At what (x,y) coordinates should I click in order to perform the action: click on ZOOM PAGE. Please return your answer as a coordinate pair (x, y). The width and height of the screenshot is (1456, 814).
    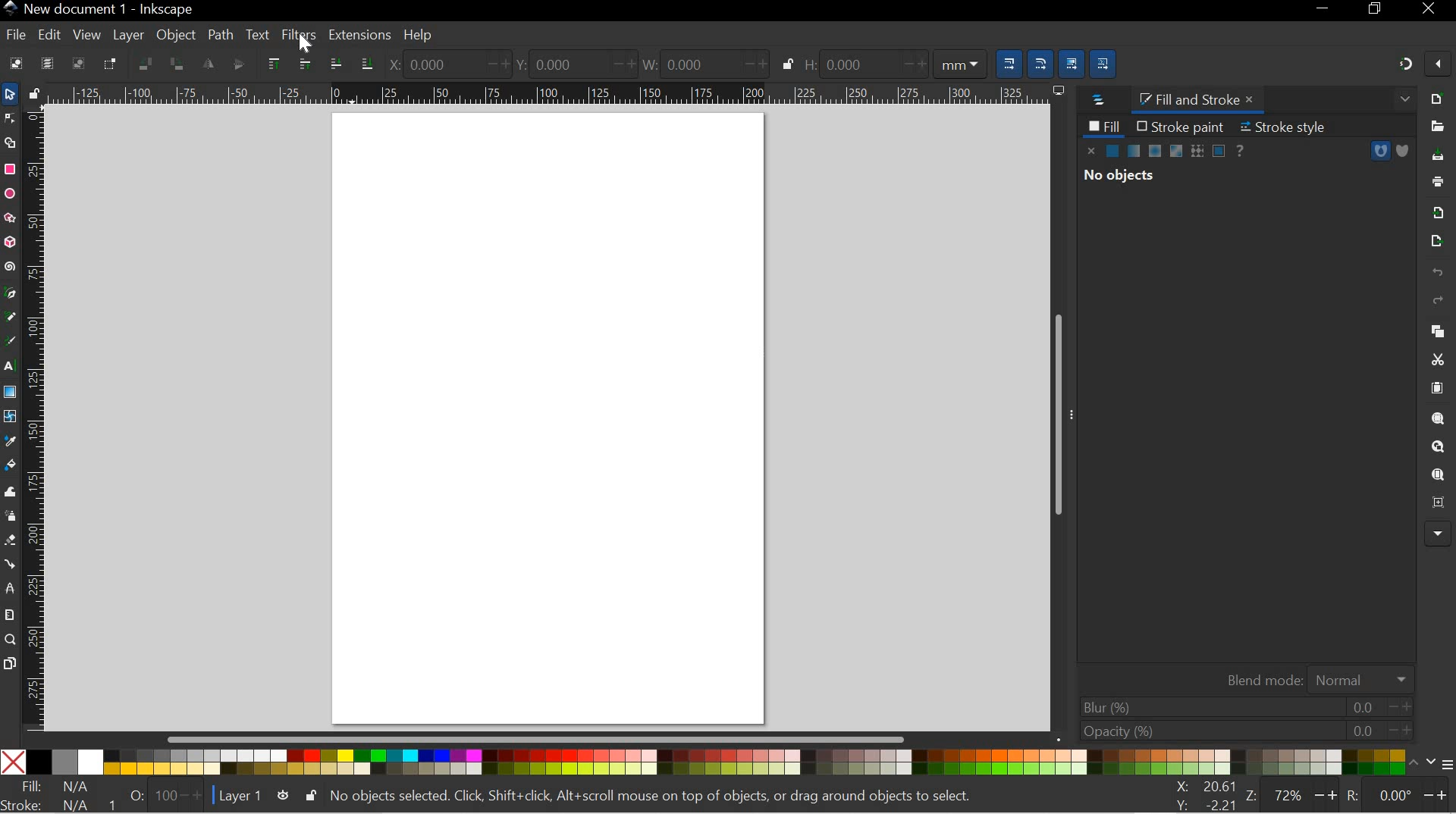
    Looking at the image, I should click on (1437, 475).